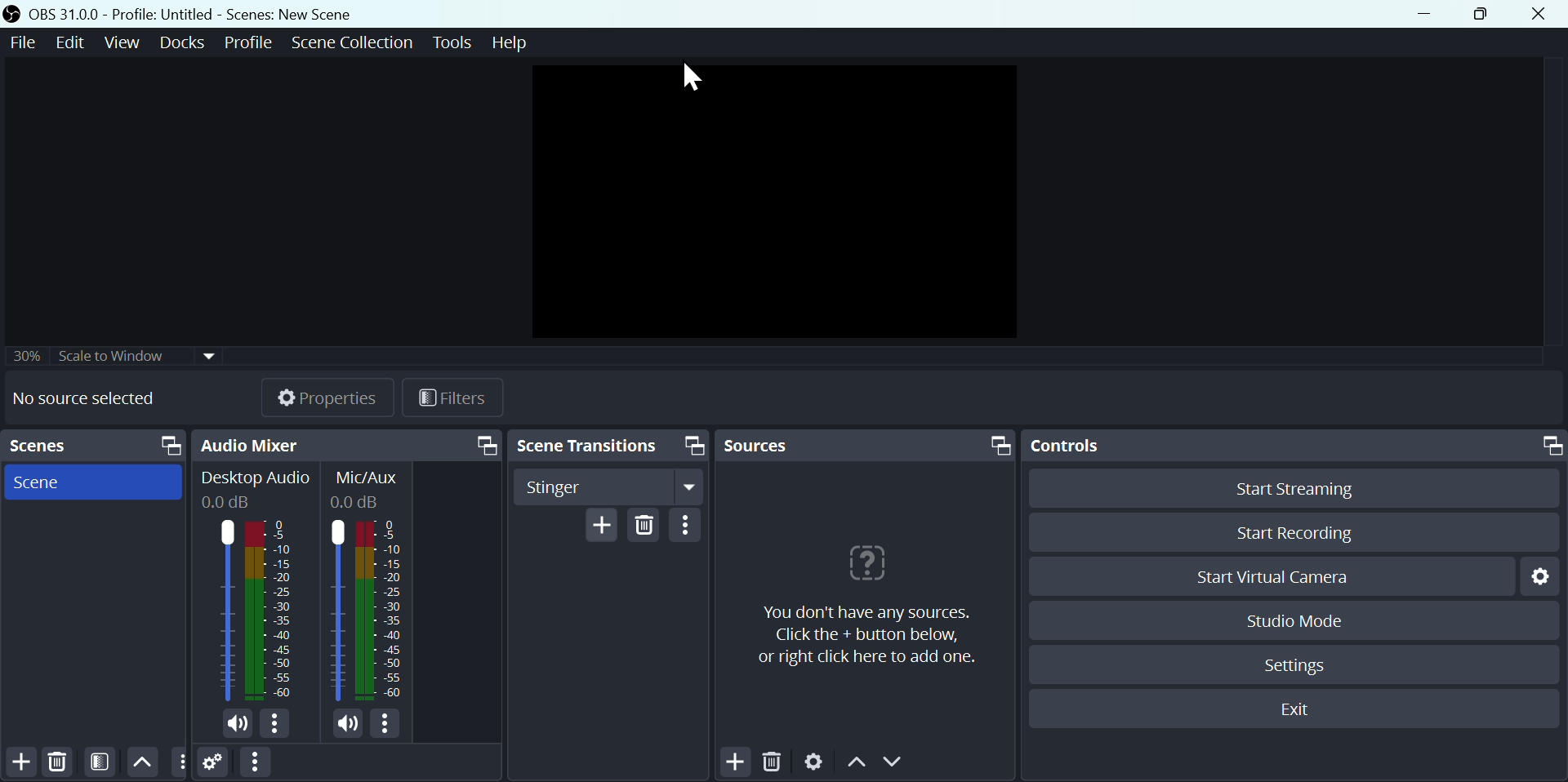  What do you see at coordinates (97, 446) in the screenshot?
I see `Scenes` at bounding box center [97, 446].